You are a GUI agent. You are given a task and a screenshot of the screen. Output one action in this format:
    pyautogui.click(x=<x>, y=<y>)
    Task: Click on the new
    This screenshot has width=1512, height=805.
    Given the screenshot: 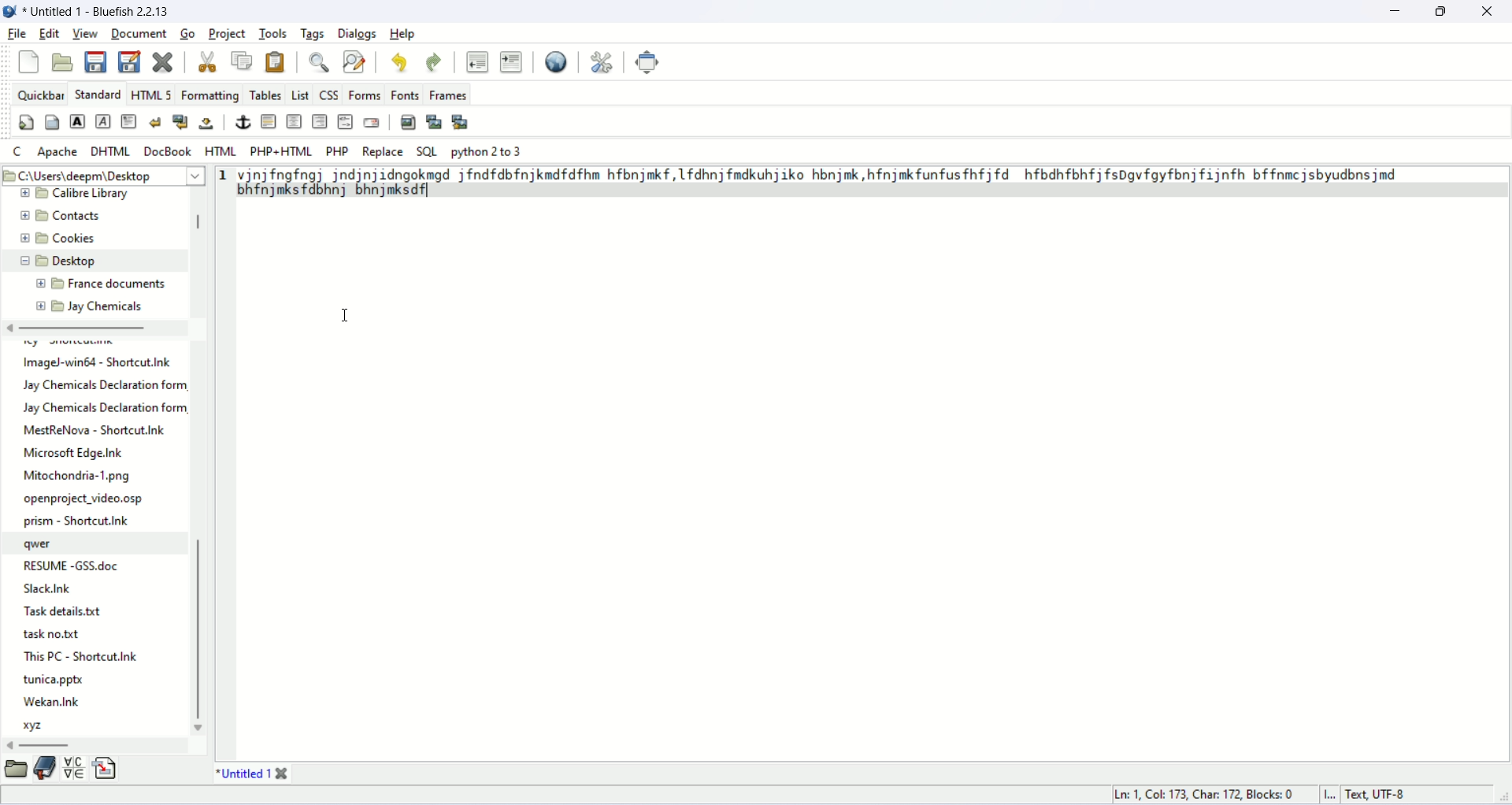 What is the action you would take?
    pyautogui.click(x=28, y=61)
    